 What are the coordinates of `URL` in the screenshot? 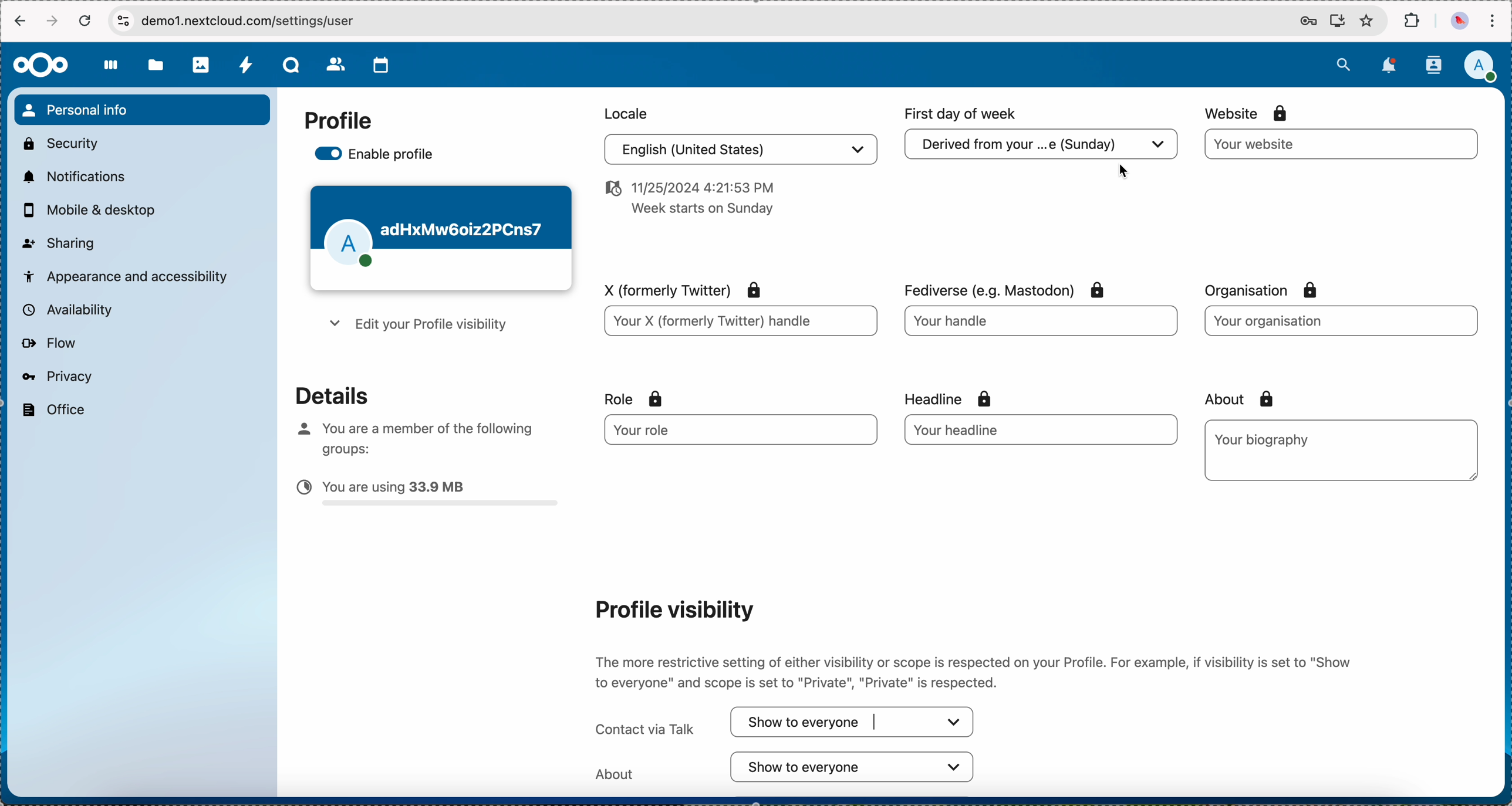 It's located at (262, 21).